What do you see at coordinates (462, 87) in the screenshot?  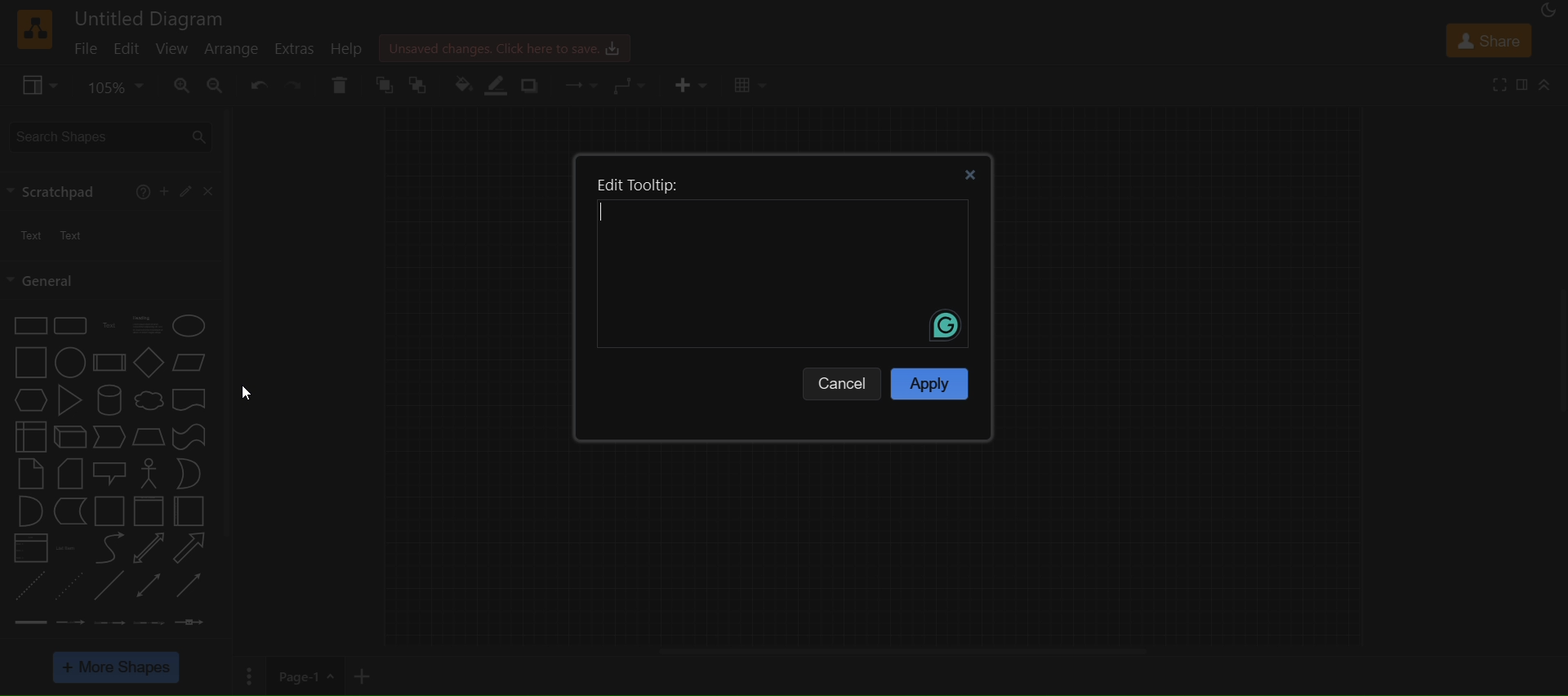 I see `fill color` at bounding box center [462, 87].